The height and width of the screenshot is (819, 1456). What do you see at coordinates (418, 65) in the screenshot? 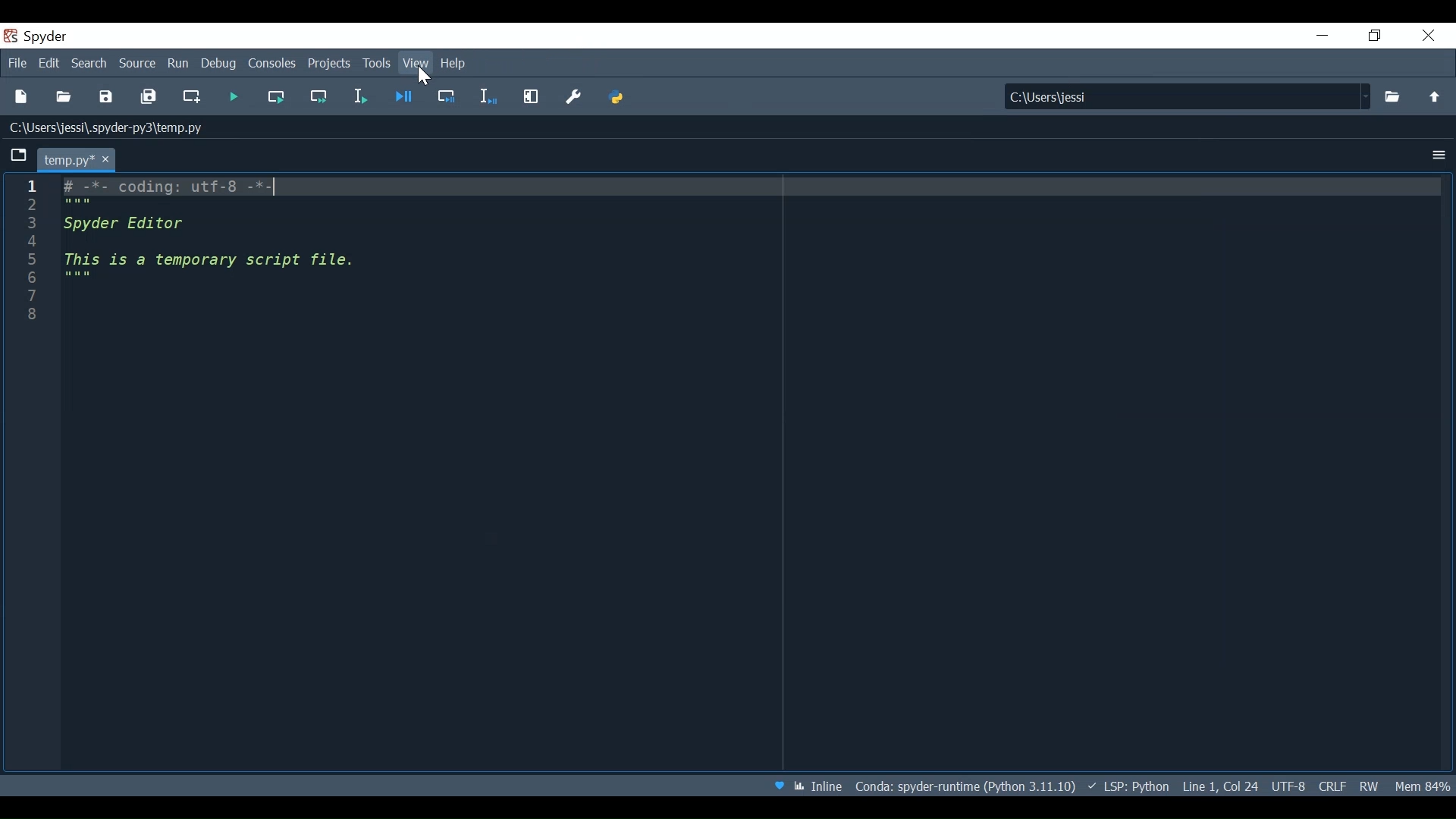
I see `View` at bounding box center [418, 65].